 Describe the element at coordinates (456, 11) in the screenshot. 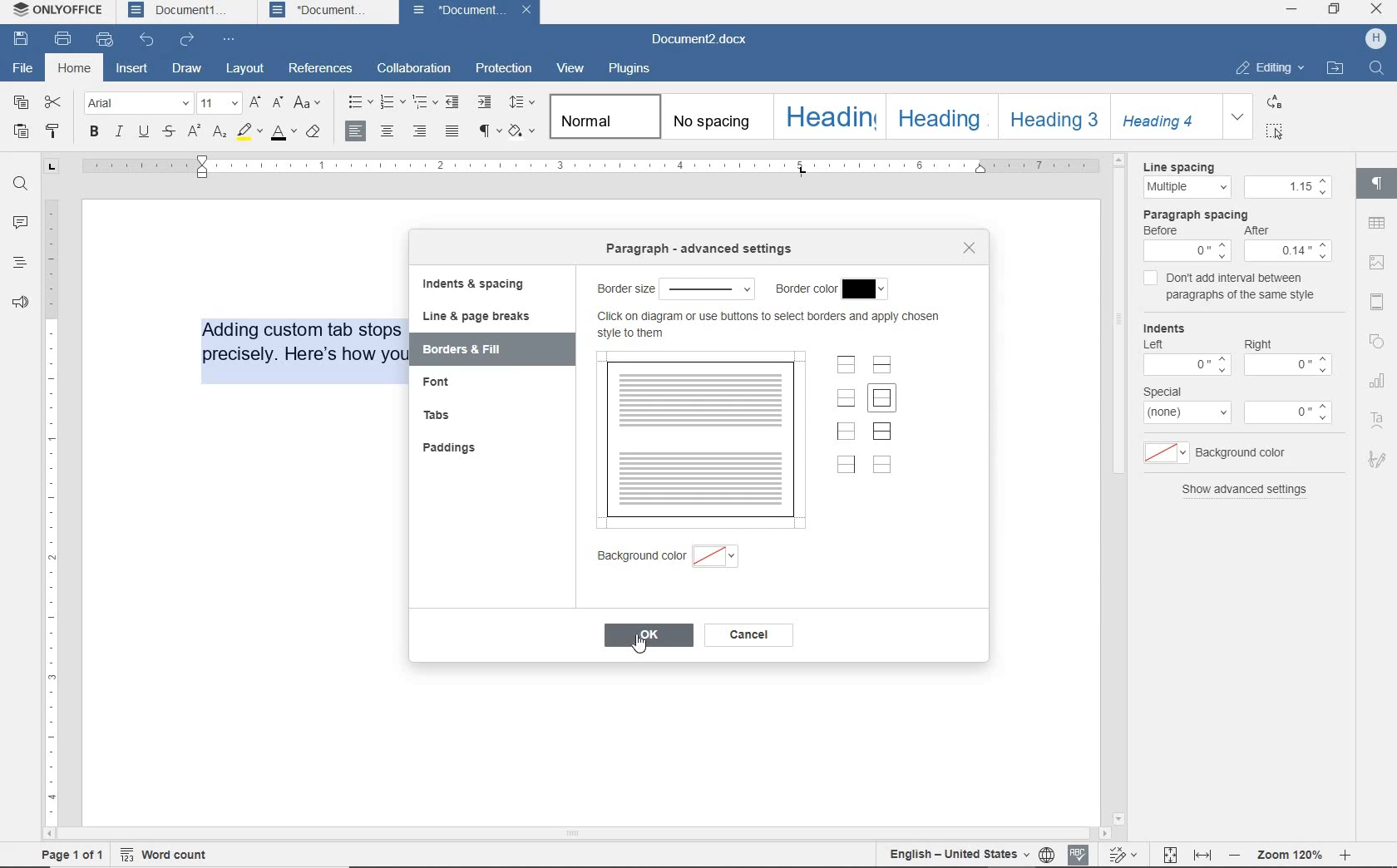

I see `Document` at that location.